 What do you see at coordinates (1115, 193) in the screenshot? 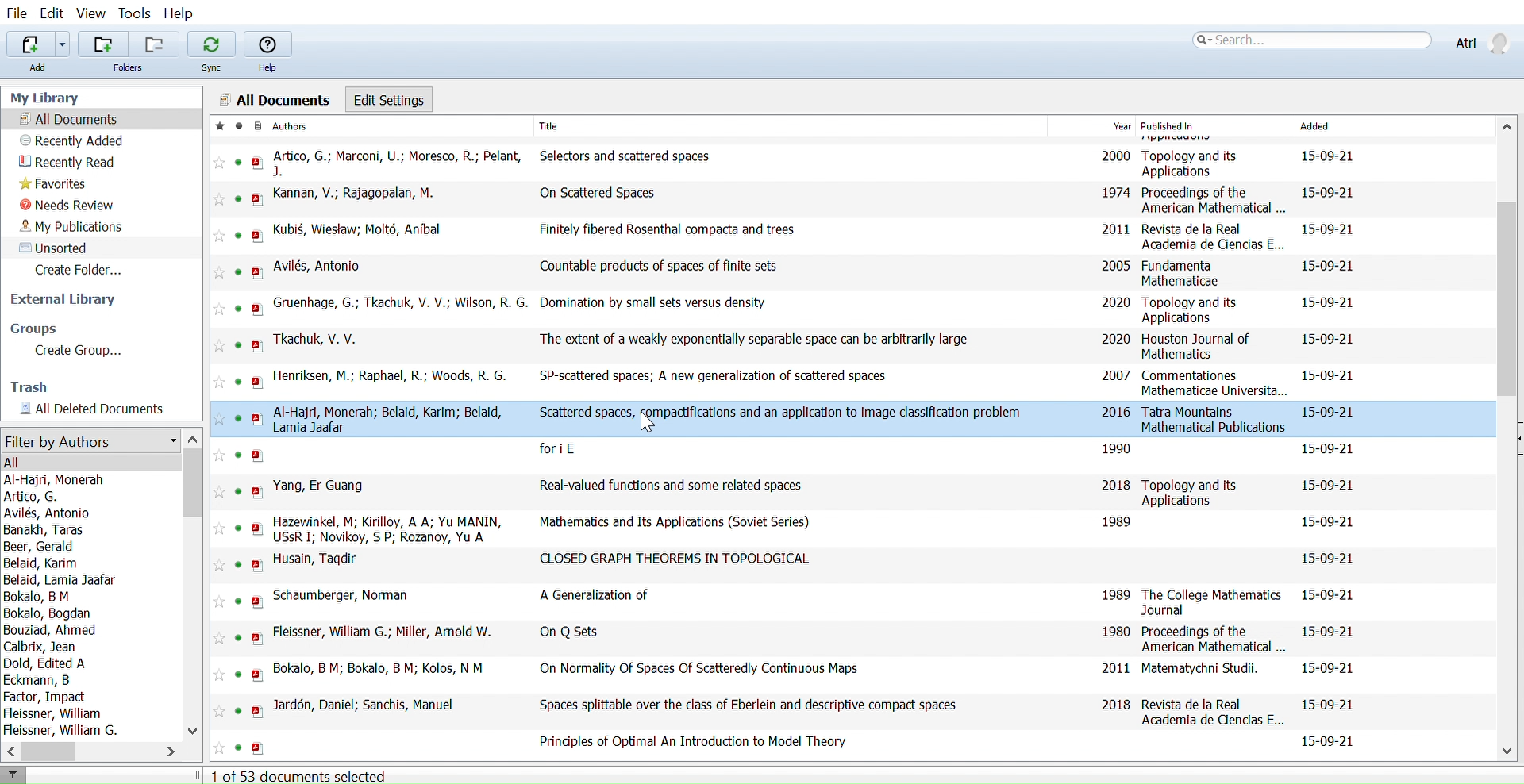
I see `1974` at bounding box center [1115, 193].